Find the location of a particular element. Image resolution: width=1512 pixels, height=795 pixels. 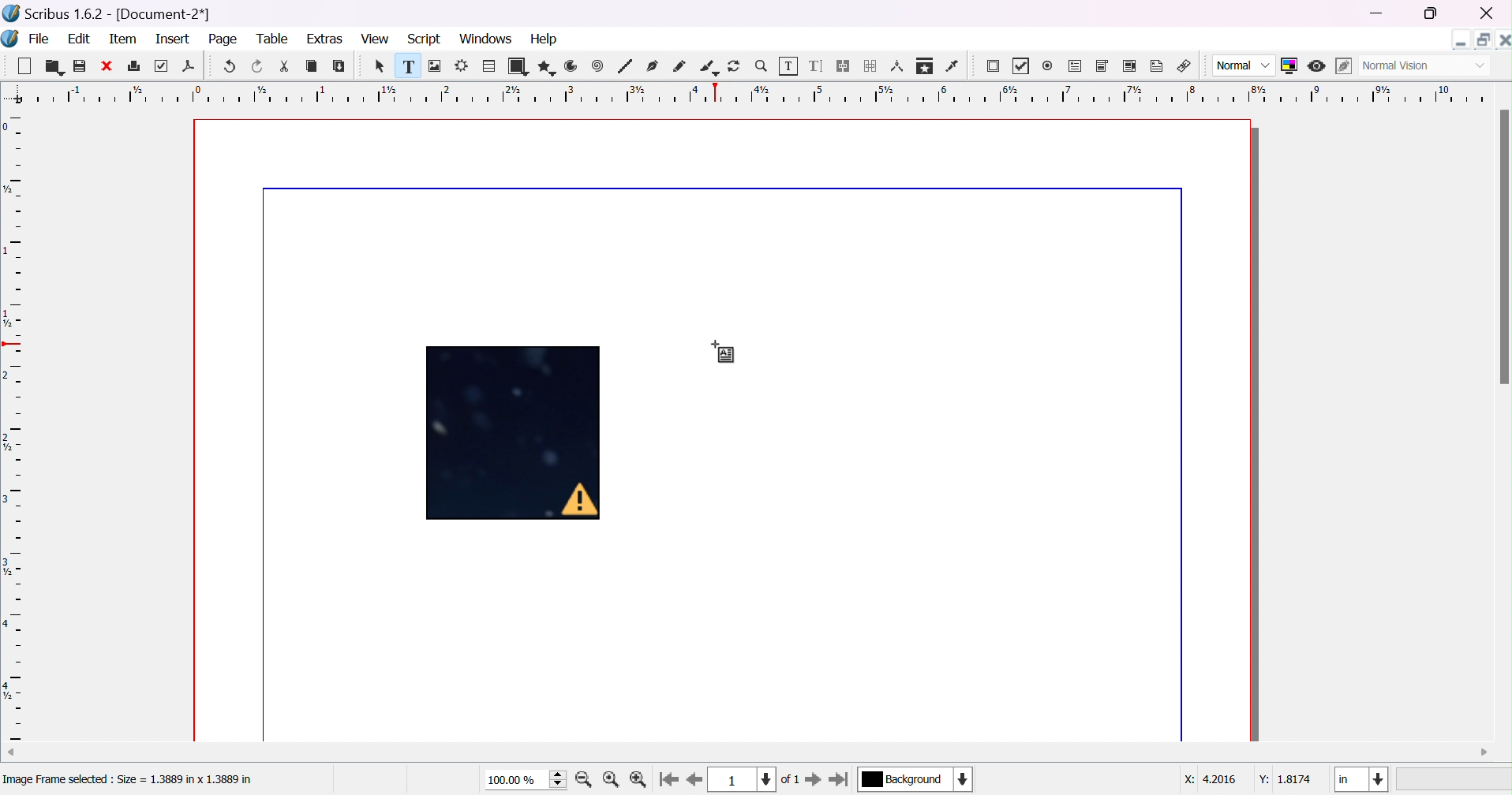

radio button is located at coordinates (1049, 66).